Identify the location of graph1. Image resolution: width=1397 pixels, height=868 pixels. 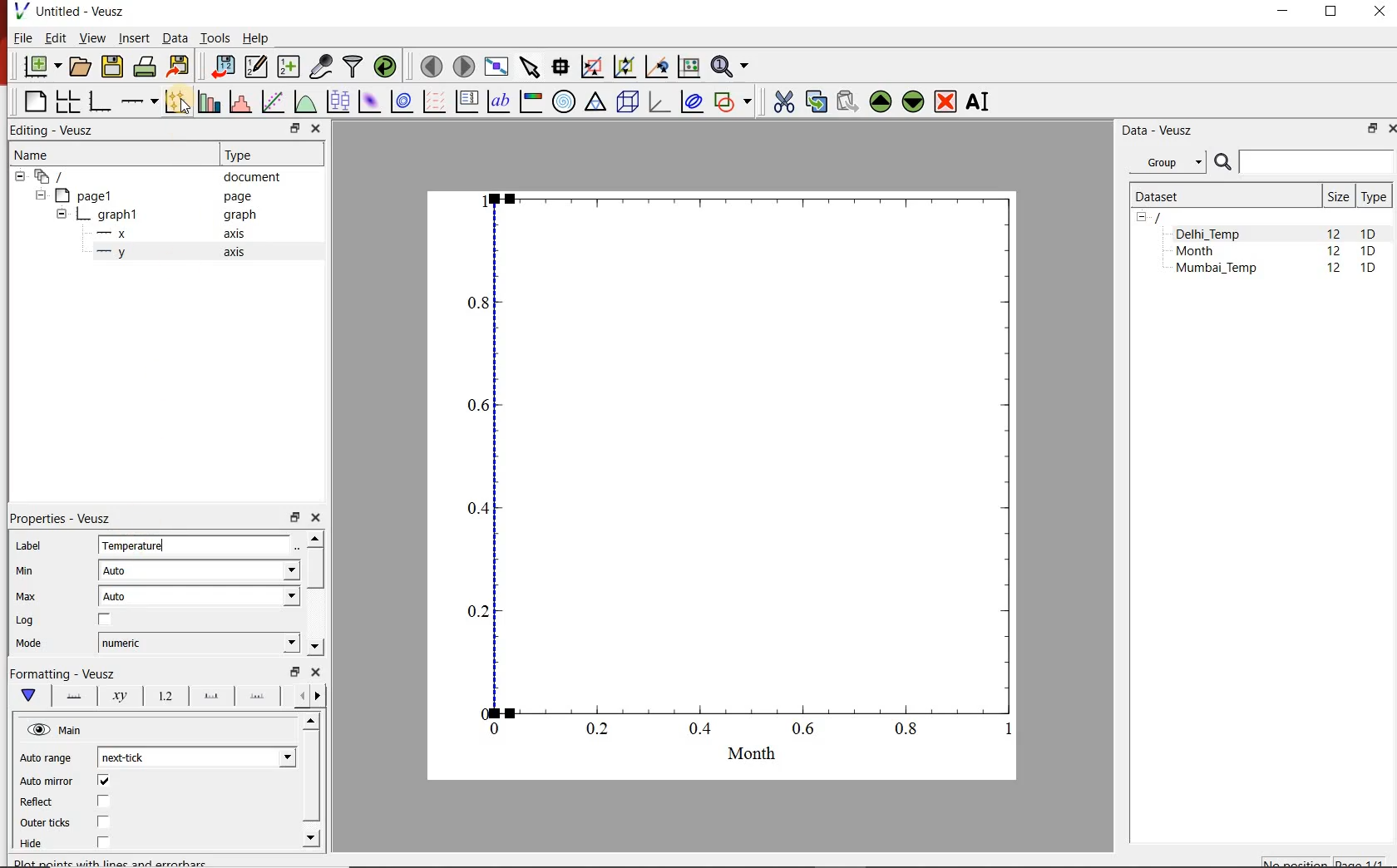
(158, 215).